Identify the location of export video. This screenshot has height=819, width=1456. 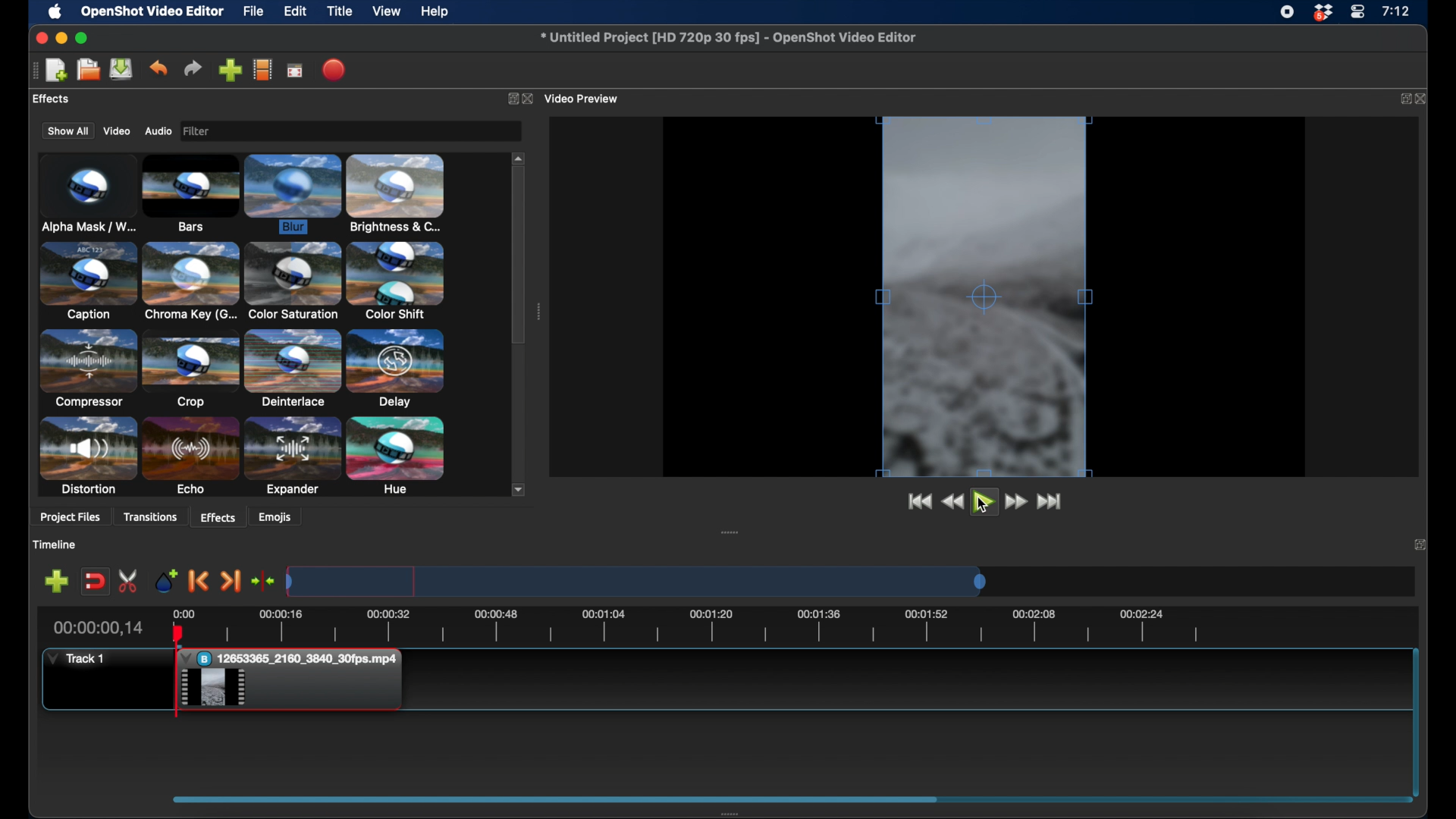
(336, 70).